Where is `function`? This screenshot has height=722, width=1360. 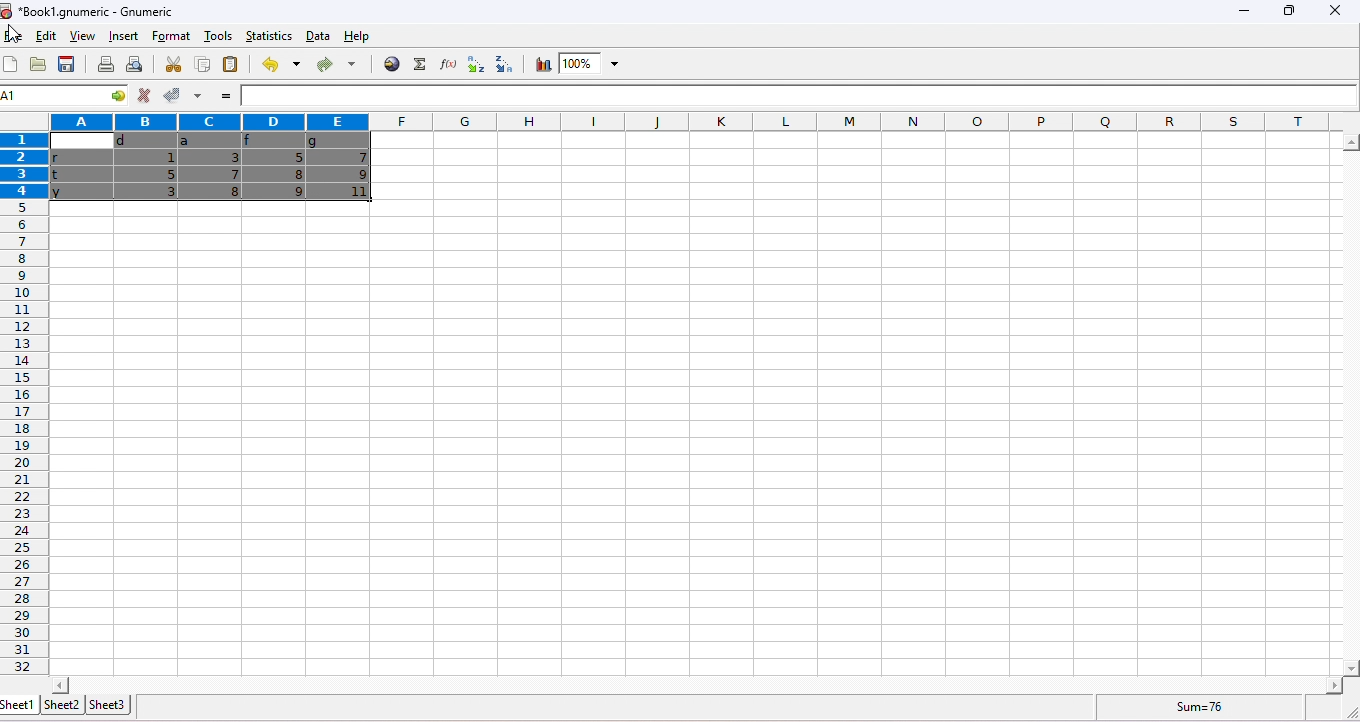
function is located at coordinates (417, 64).